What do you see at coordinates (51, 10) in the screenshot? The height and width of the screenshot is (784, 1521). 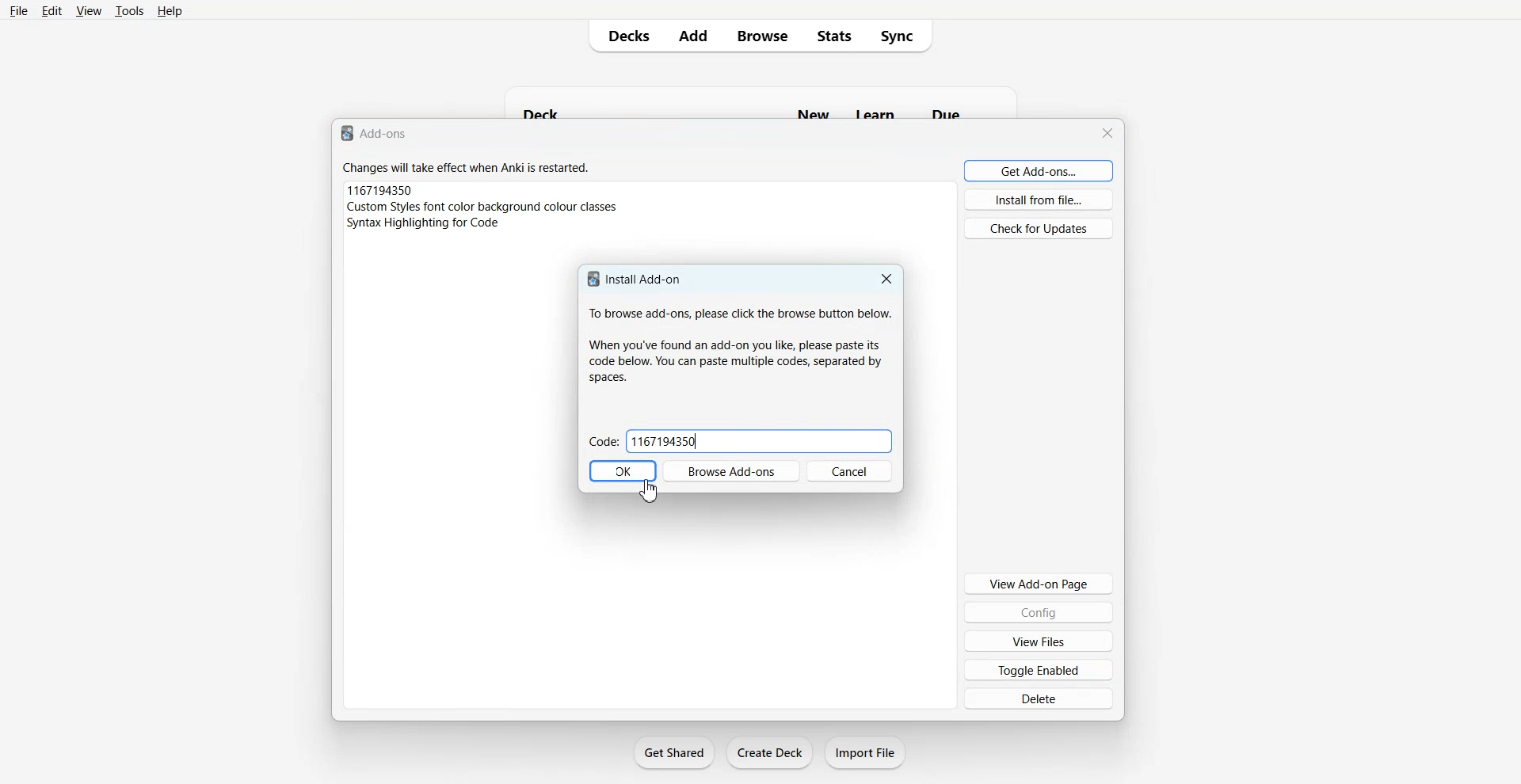 I see `Edit` at bounding box center [51, 10].